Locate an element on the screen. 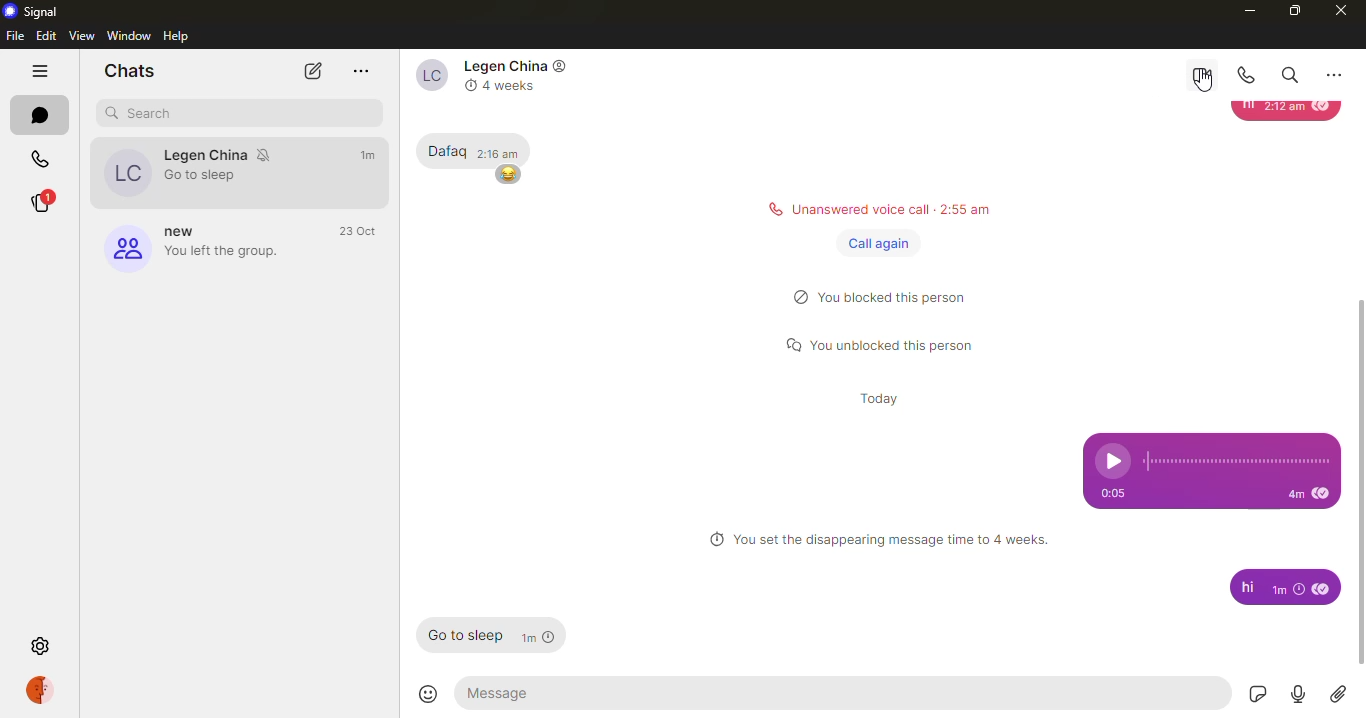 This screenshot has width=1366, height=718. search is located at coordinates (149, 113).